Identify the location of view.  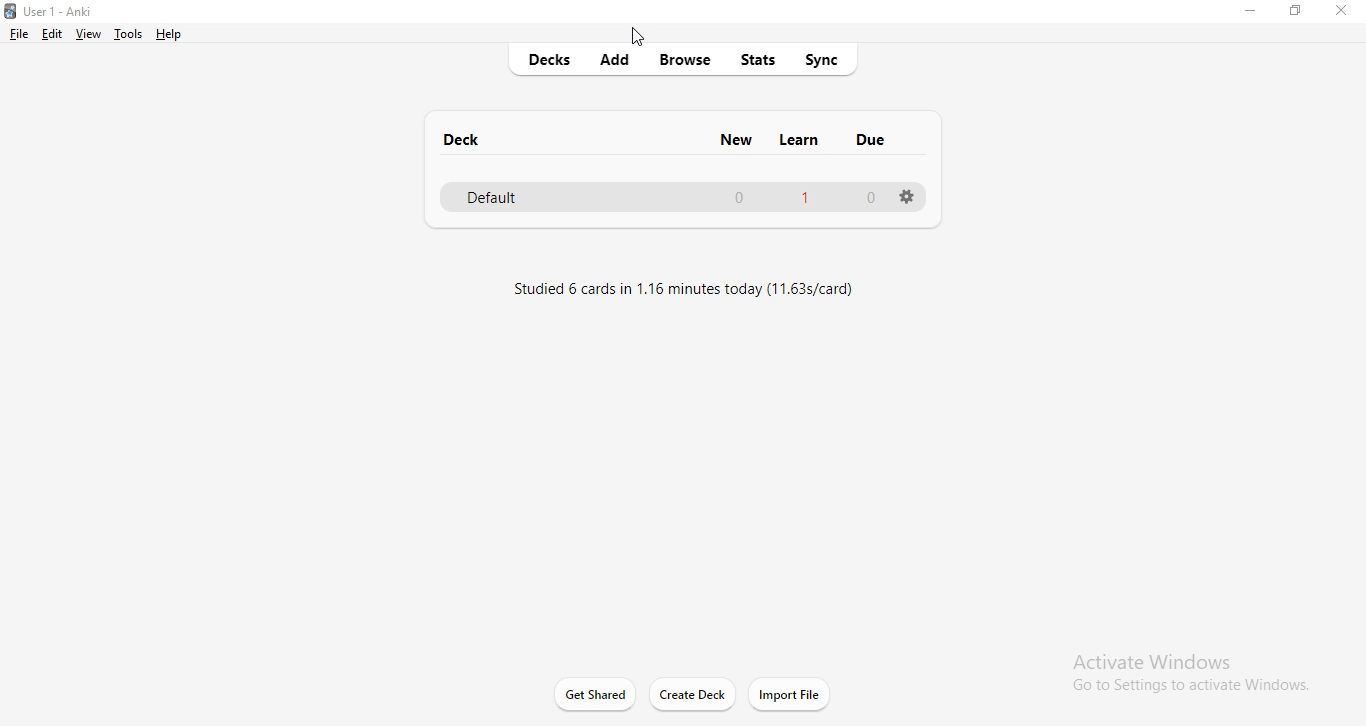
(89, 34).